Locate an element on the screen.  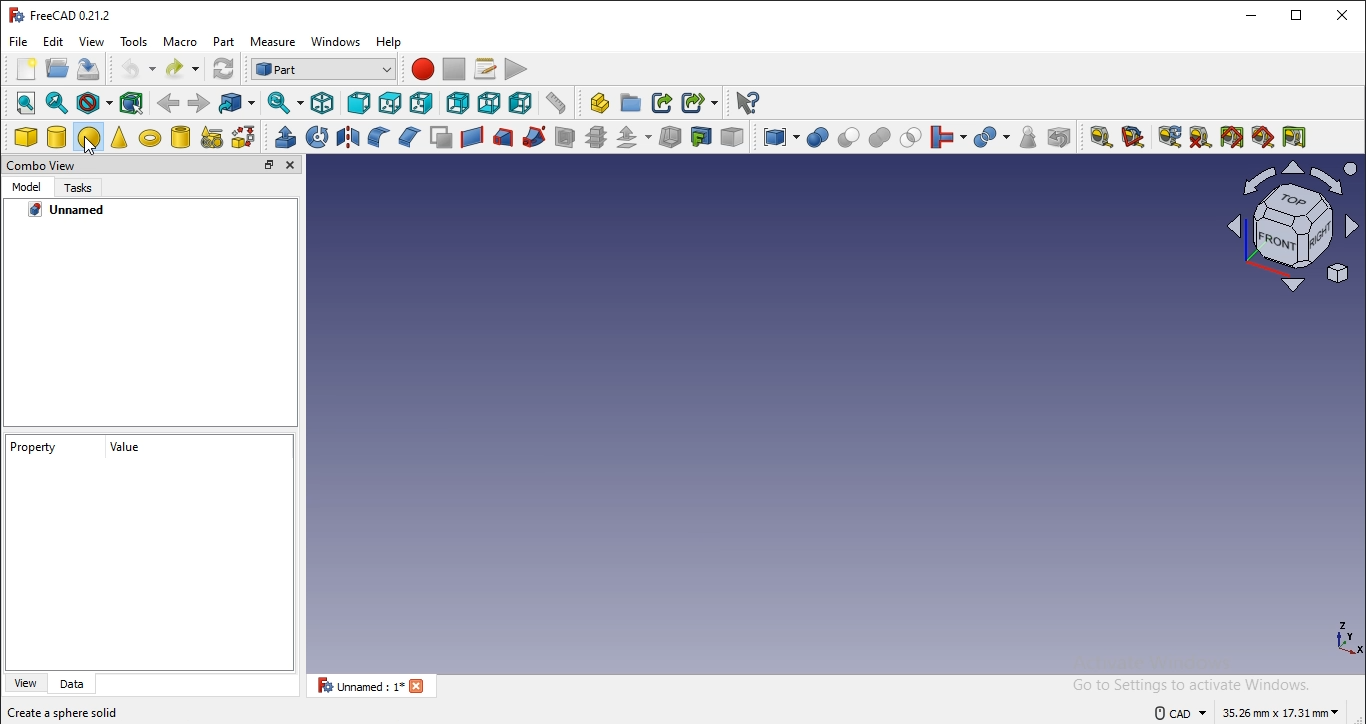
redo is located at coordinates (176, 68).